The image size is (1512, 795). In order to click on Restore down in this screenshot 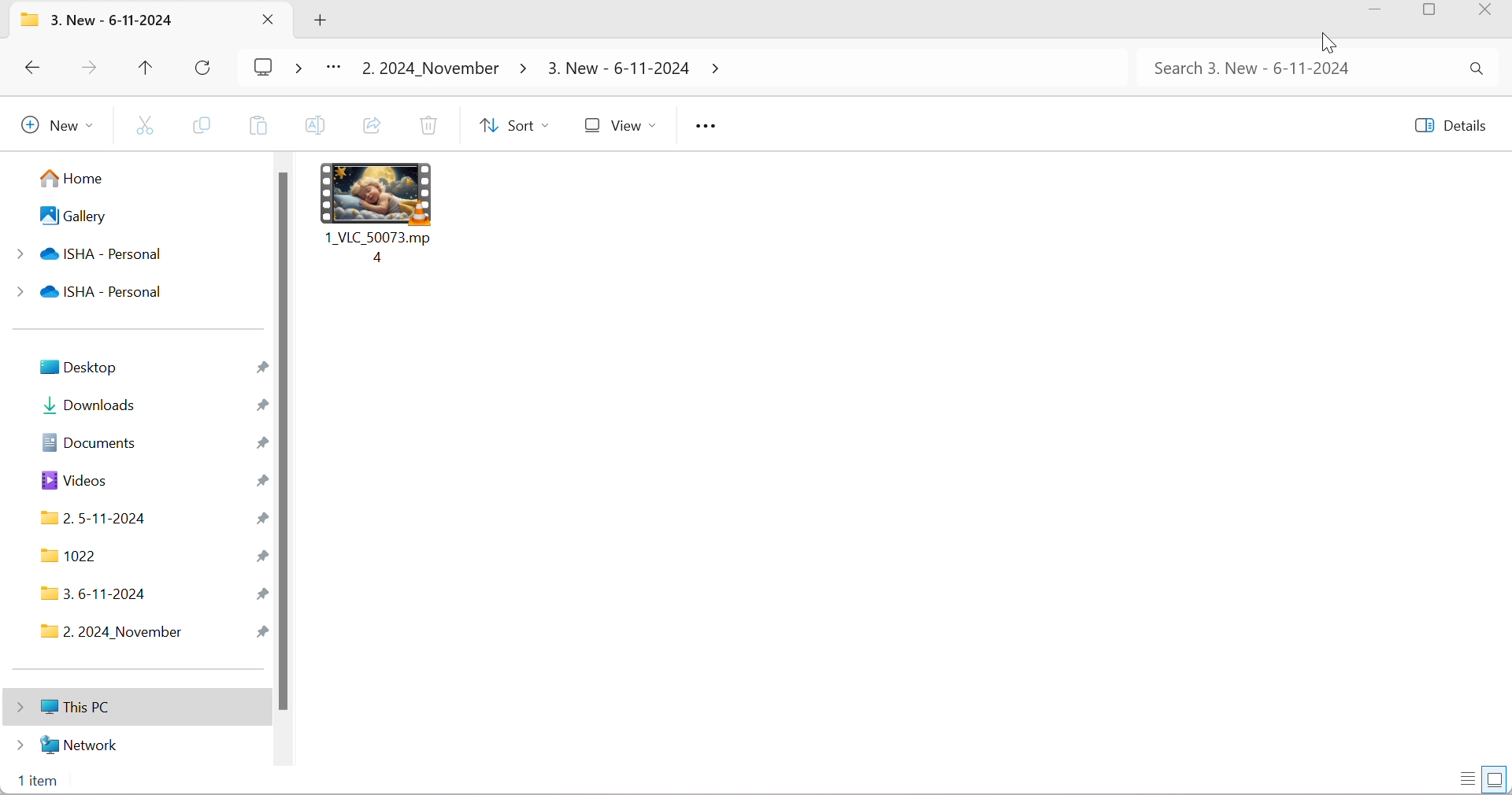, I will do `click(1435, 13)`.